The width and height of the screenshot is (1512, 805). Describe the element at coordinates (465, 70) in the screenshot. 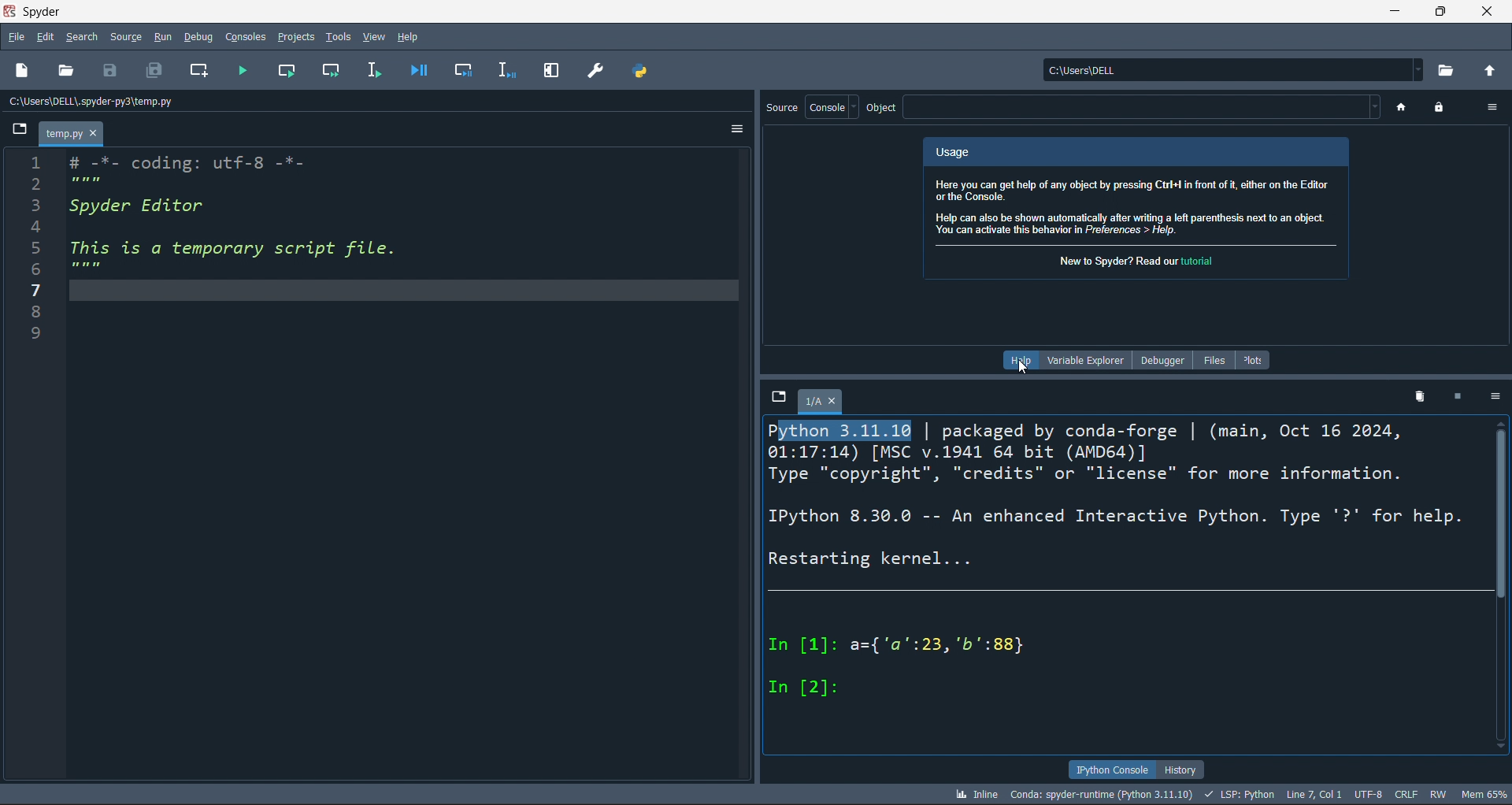

I see `debug cell` at that location.